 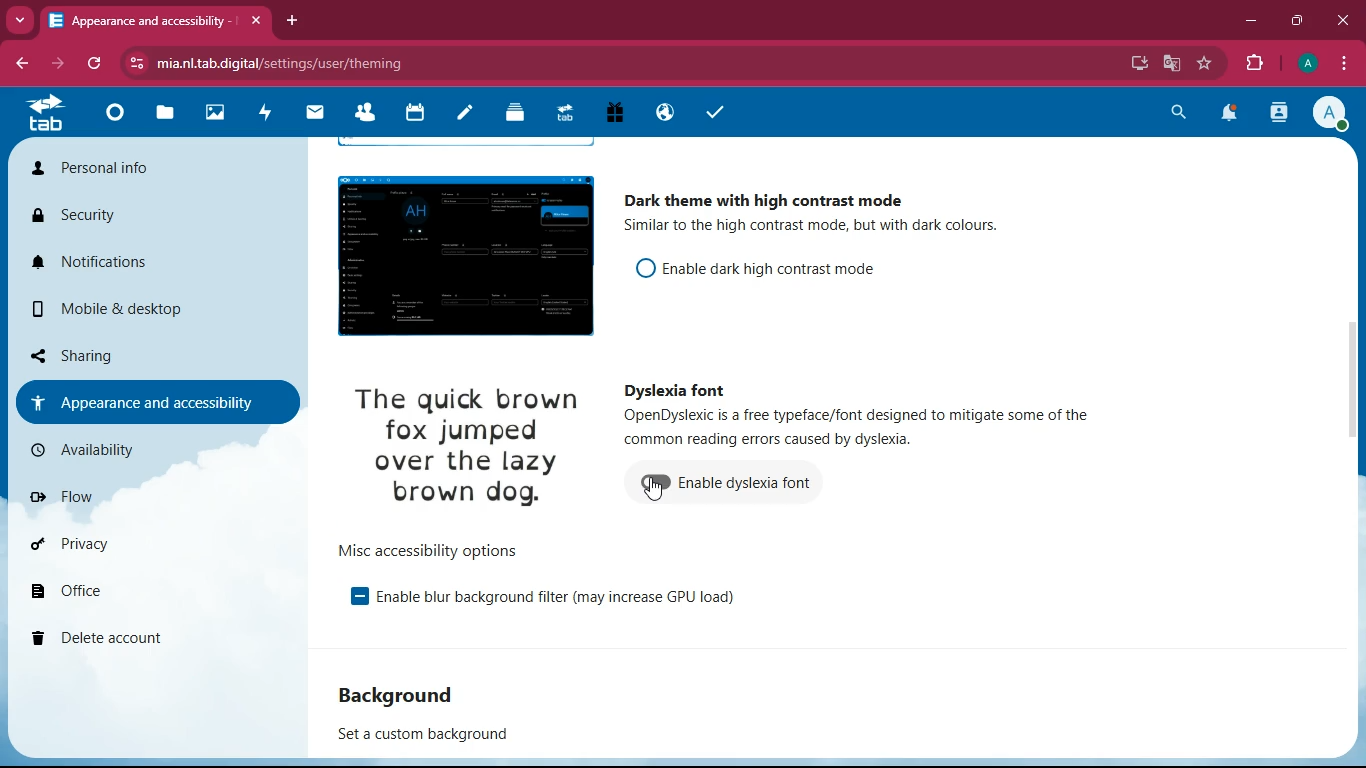 What do you see at coordinates (470, 113) in the screenshot?
I see `notes` at bounding box center [470, 113].